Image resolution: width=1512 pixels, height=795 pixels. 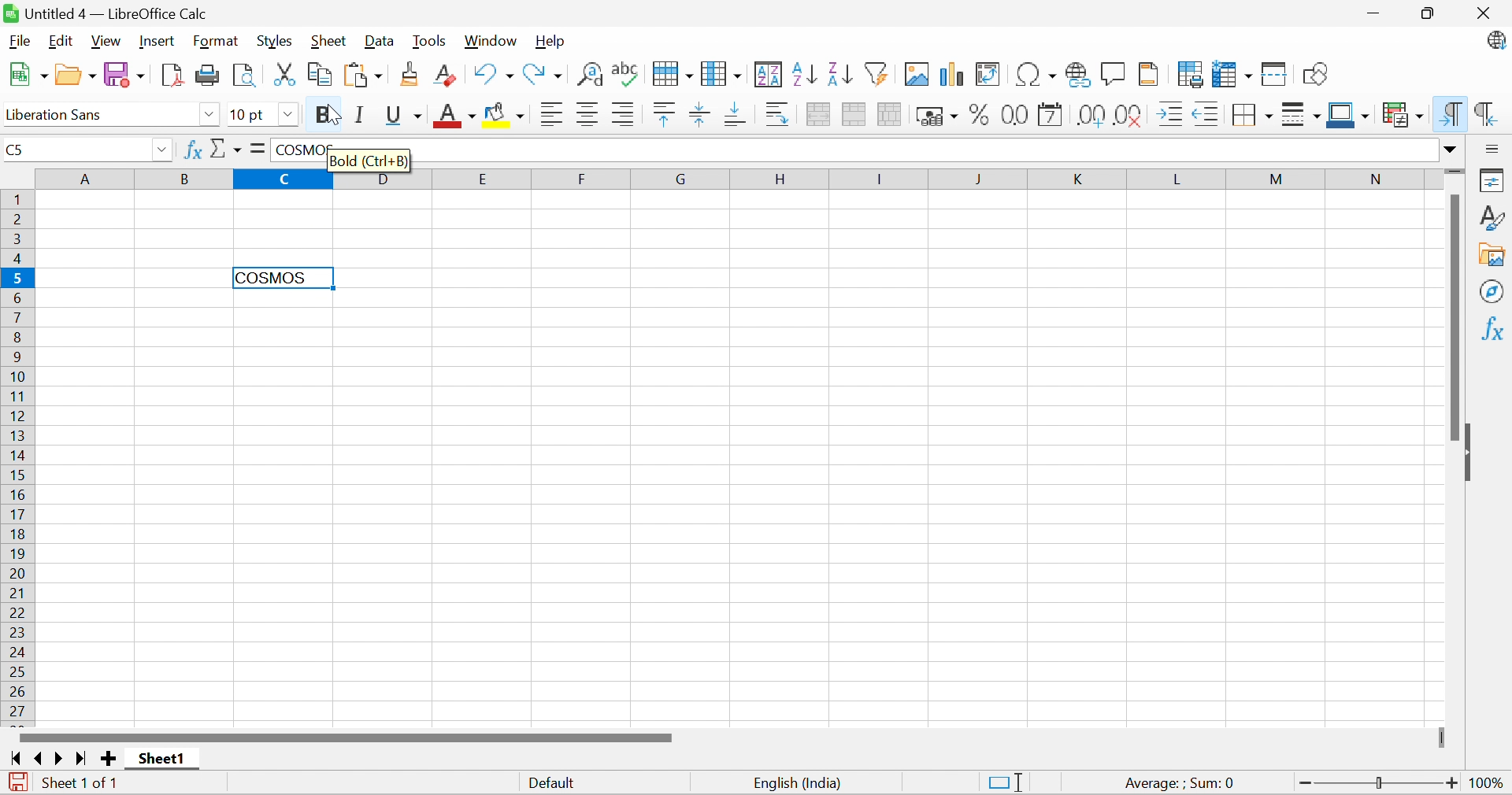 I want to click on The Document has modified. Click to save the document., so click(x=16, y=782).